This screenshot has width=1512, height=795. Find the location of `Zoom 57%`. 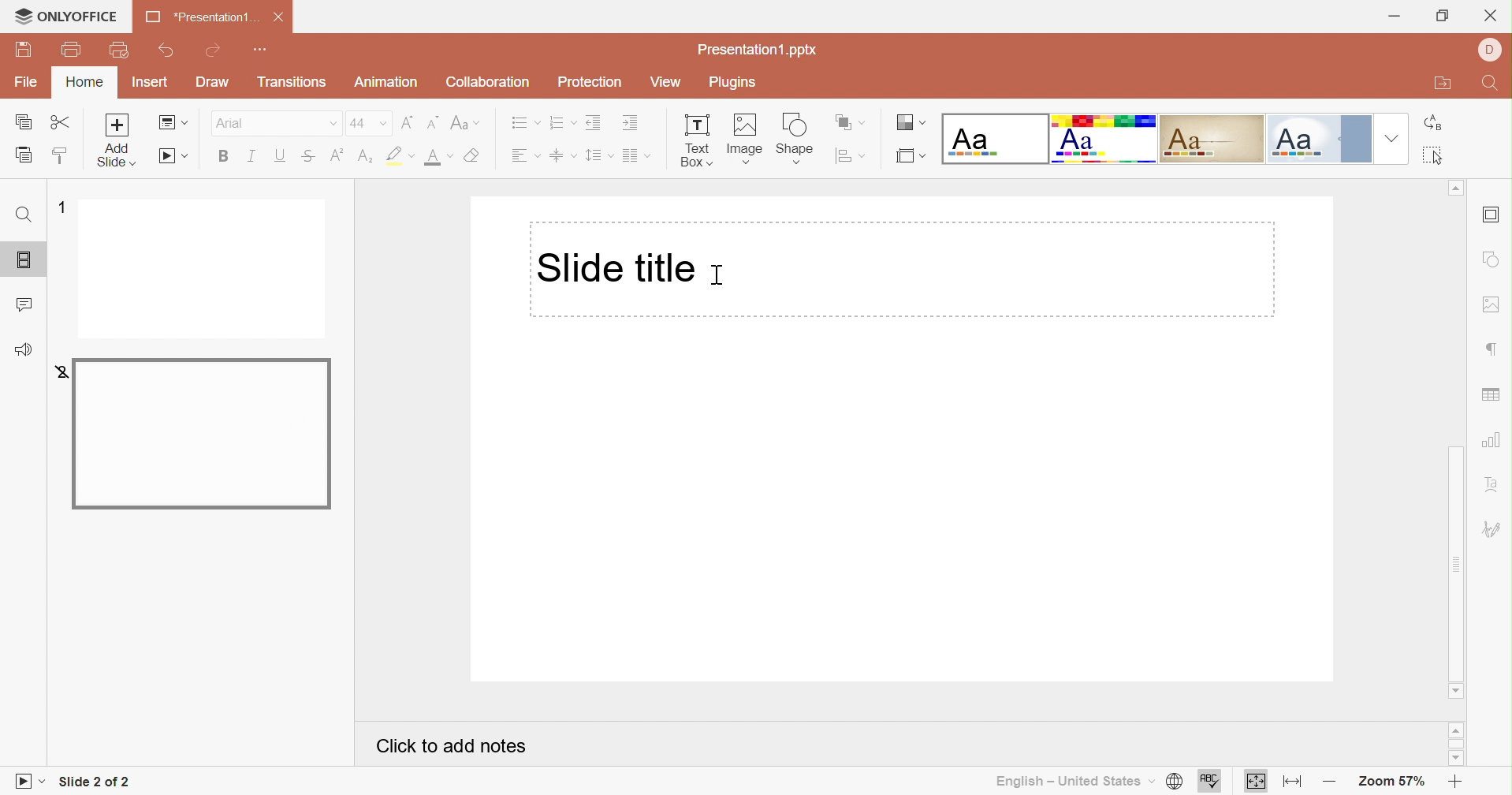

Zoom 57% is located at coordinates (1387, 782).